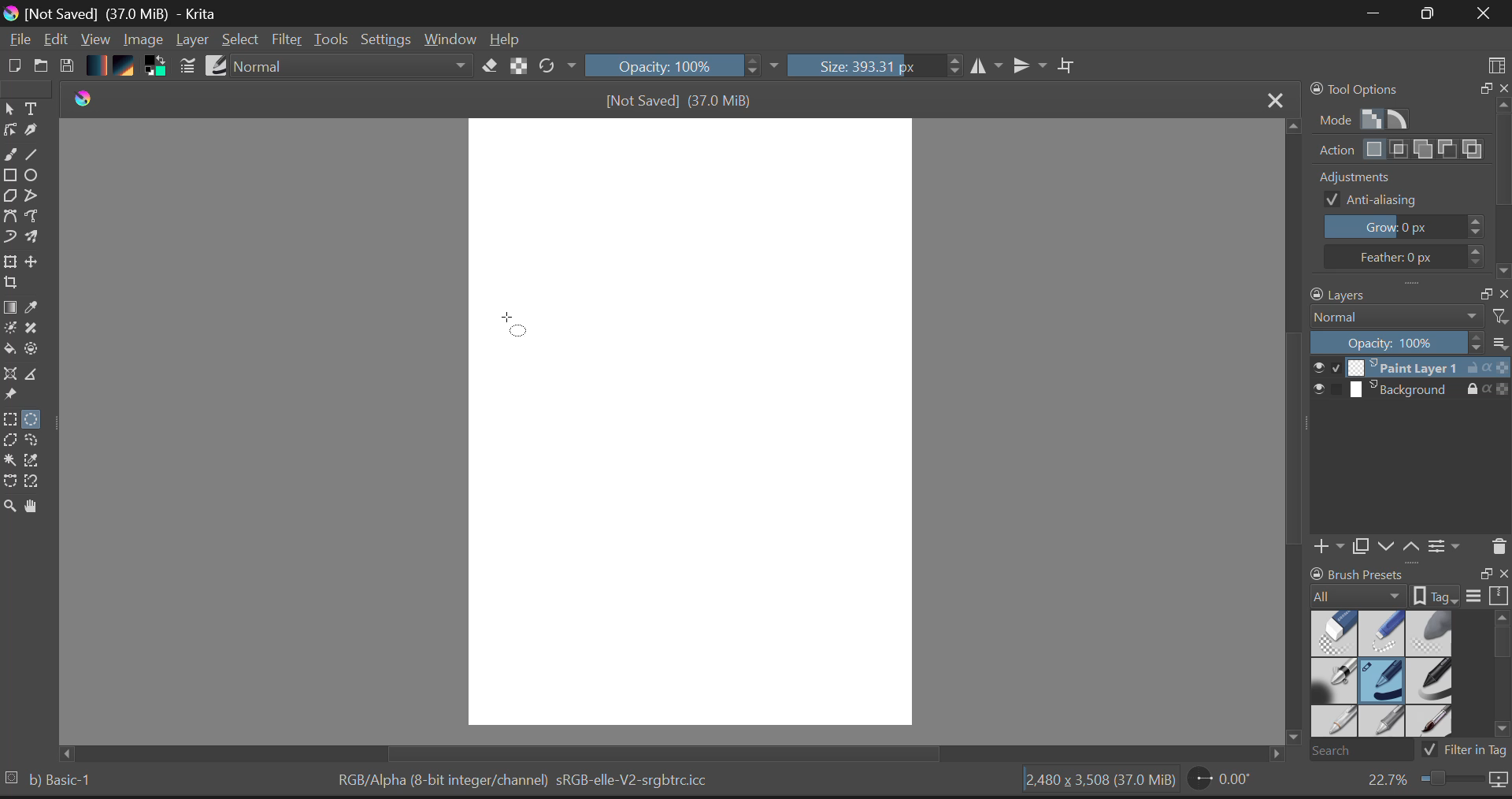 This screenshot has width=1512, height=799. I want to click on Brush Size, so click(874, 67).